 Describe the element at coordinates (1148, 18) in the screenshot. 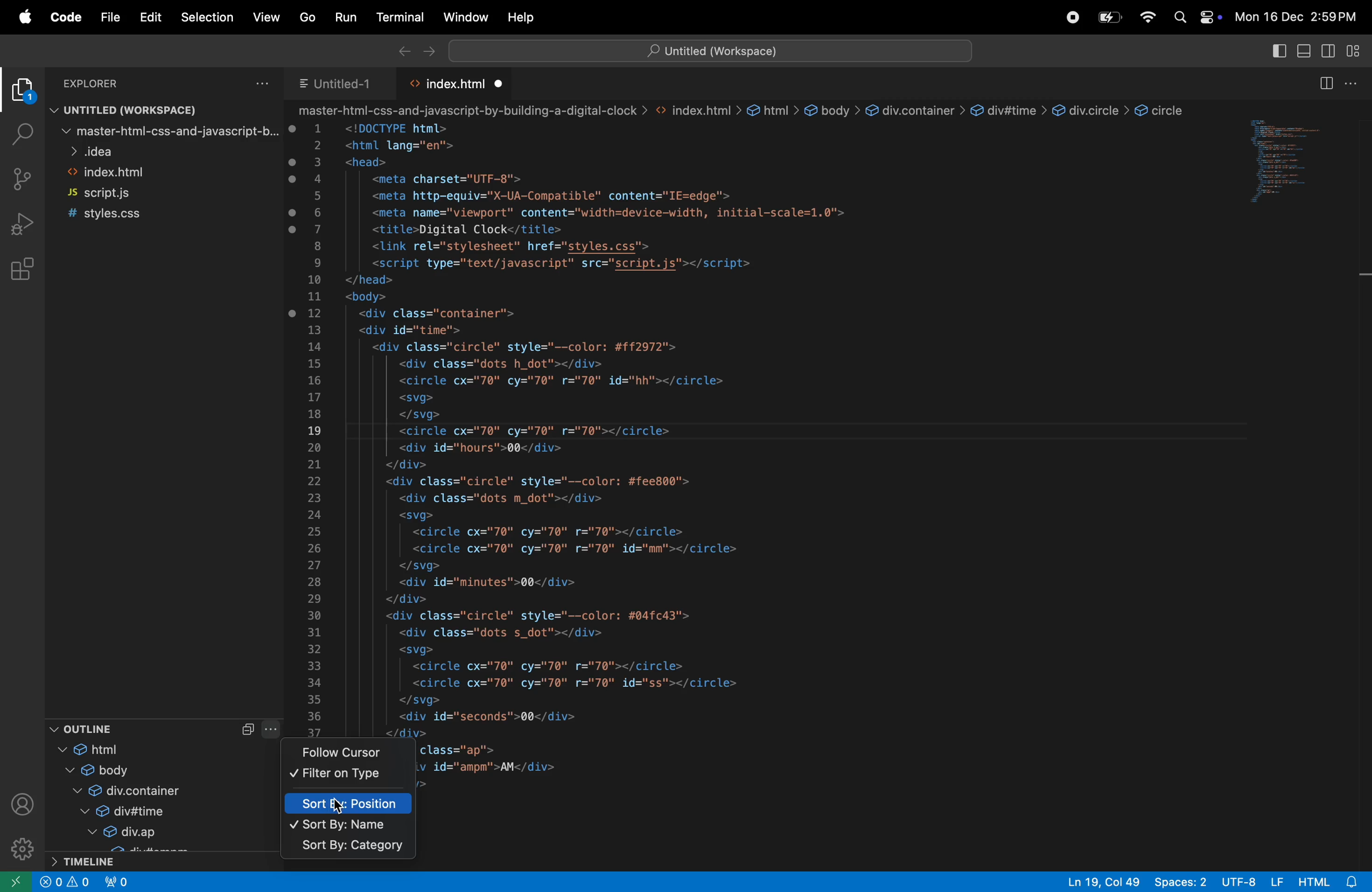

I see `wifi` at that location.